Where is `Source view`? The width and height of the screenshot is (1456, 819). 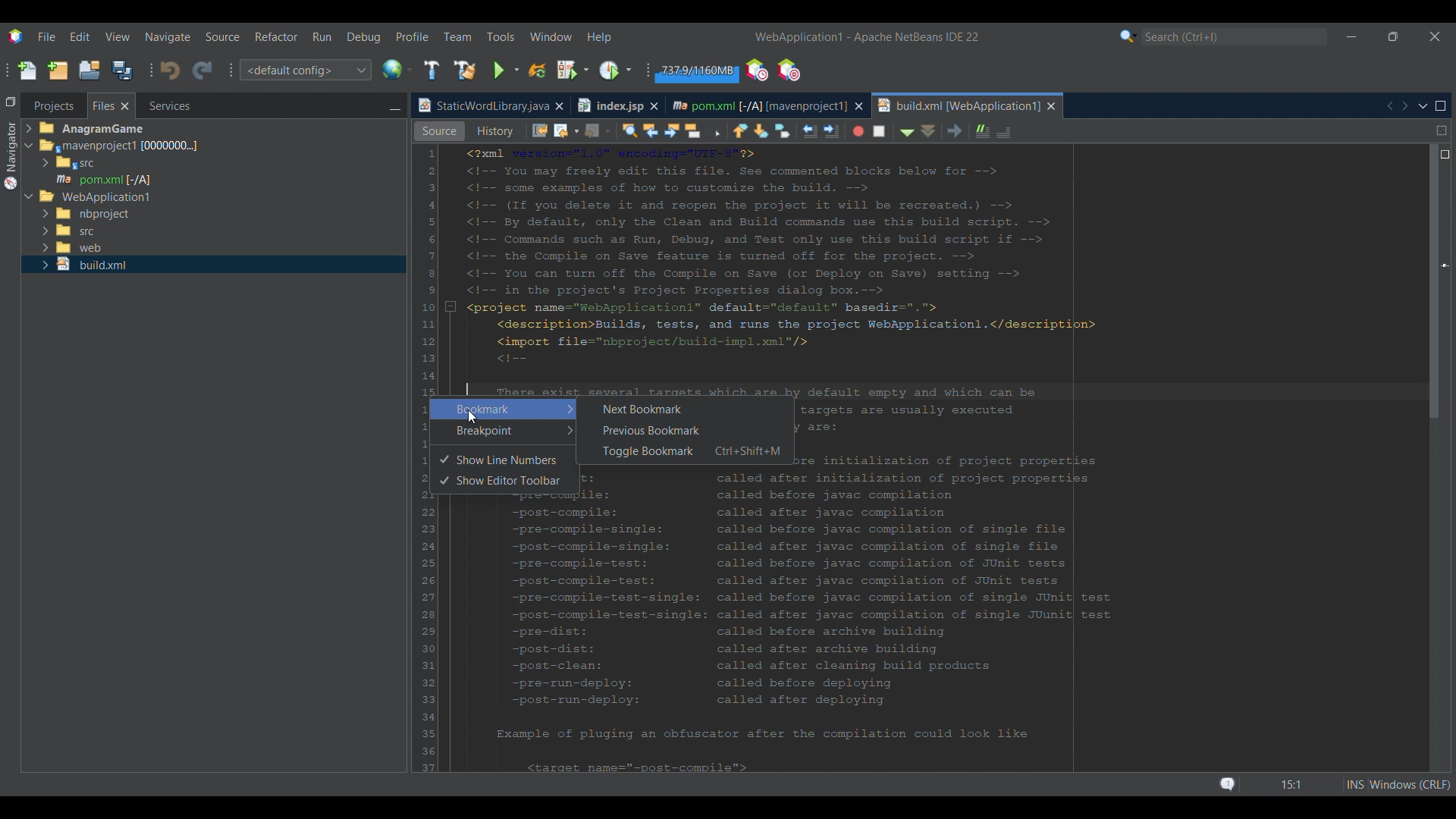
Source view is located at coordinates (439, 131).